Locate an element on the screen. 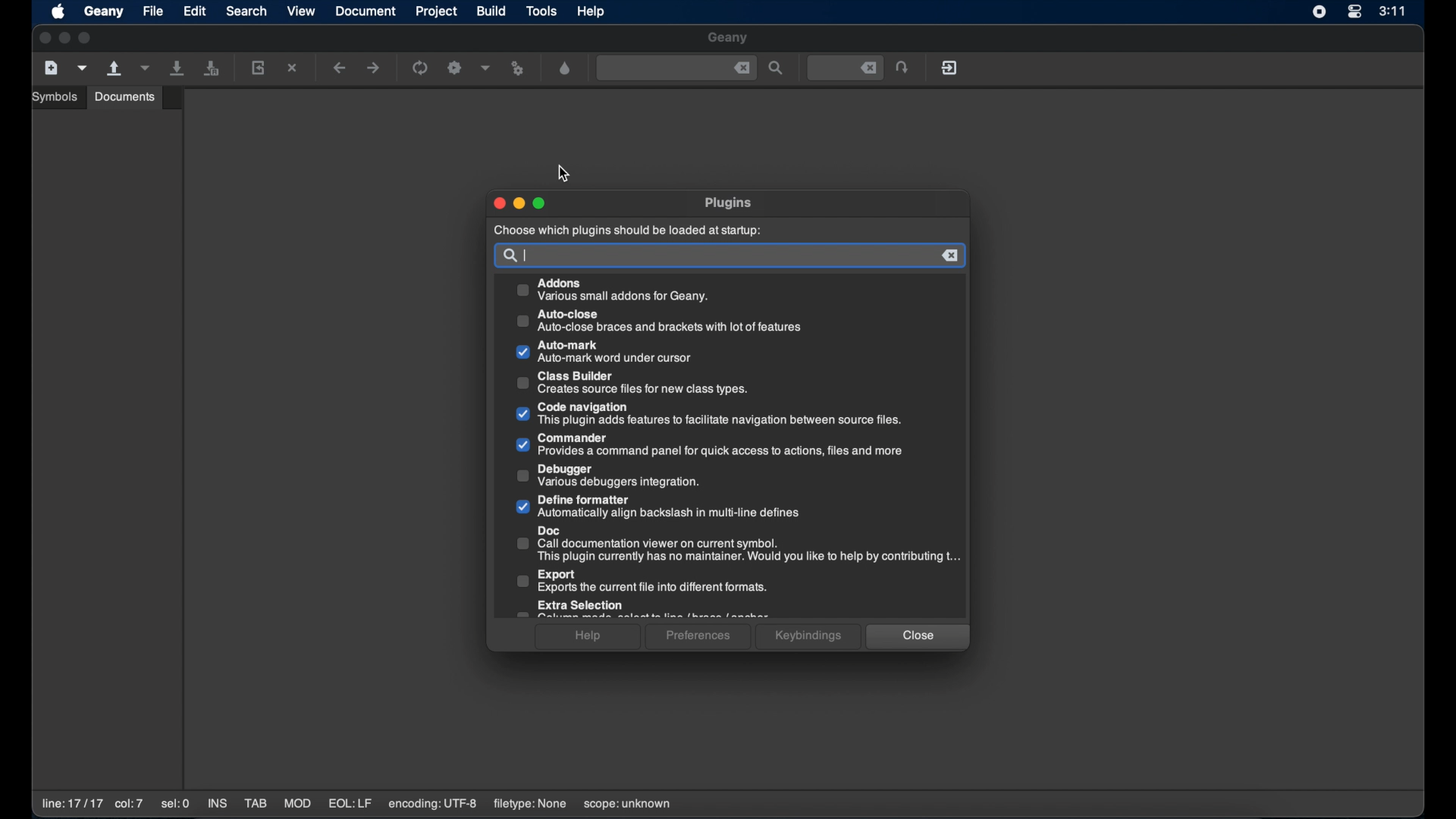 The image size is (1456, 819). preferences is located at coordinates (698, 637).